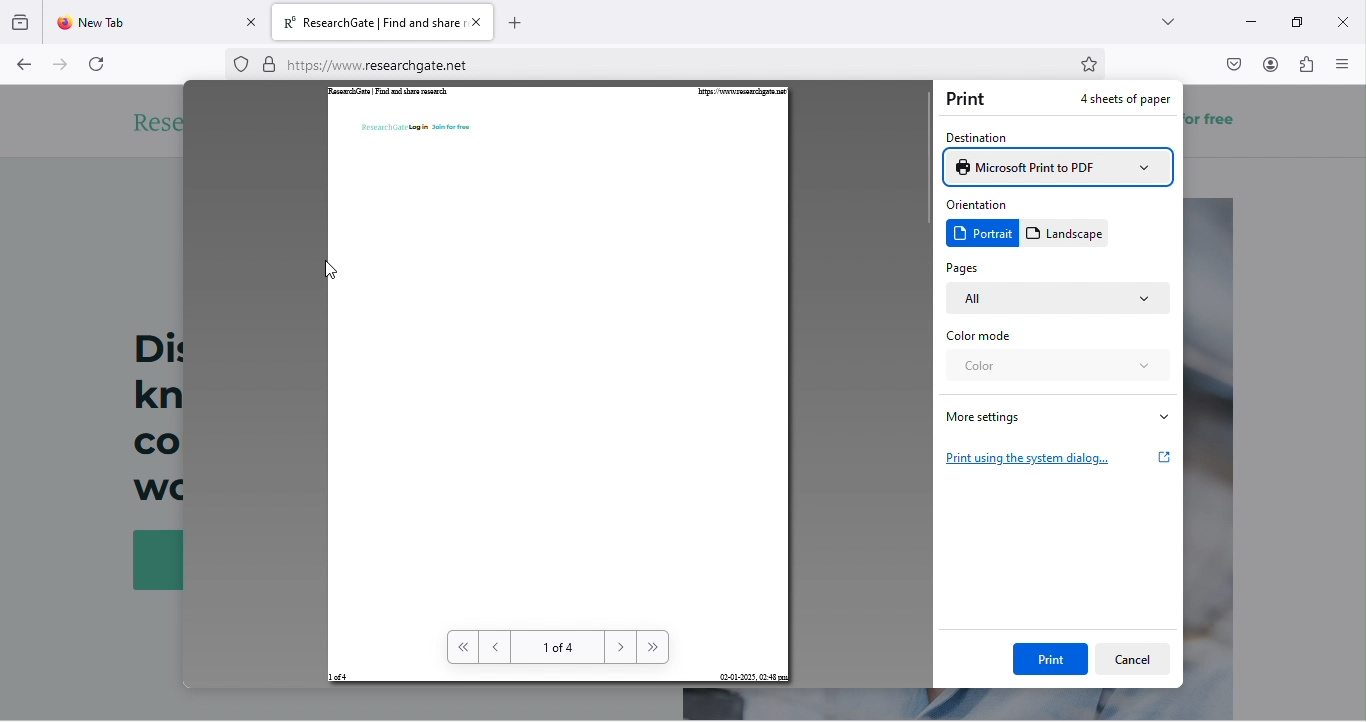  I want to click on forward, so click(59, 65).